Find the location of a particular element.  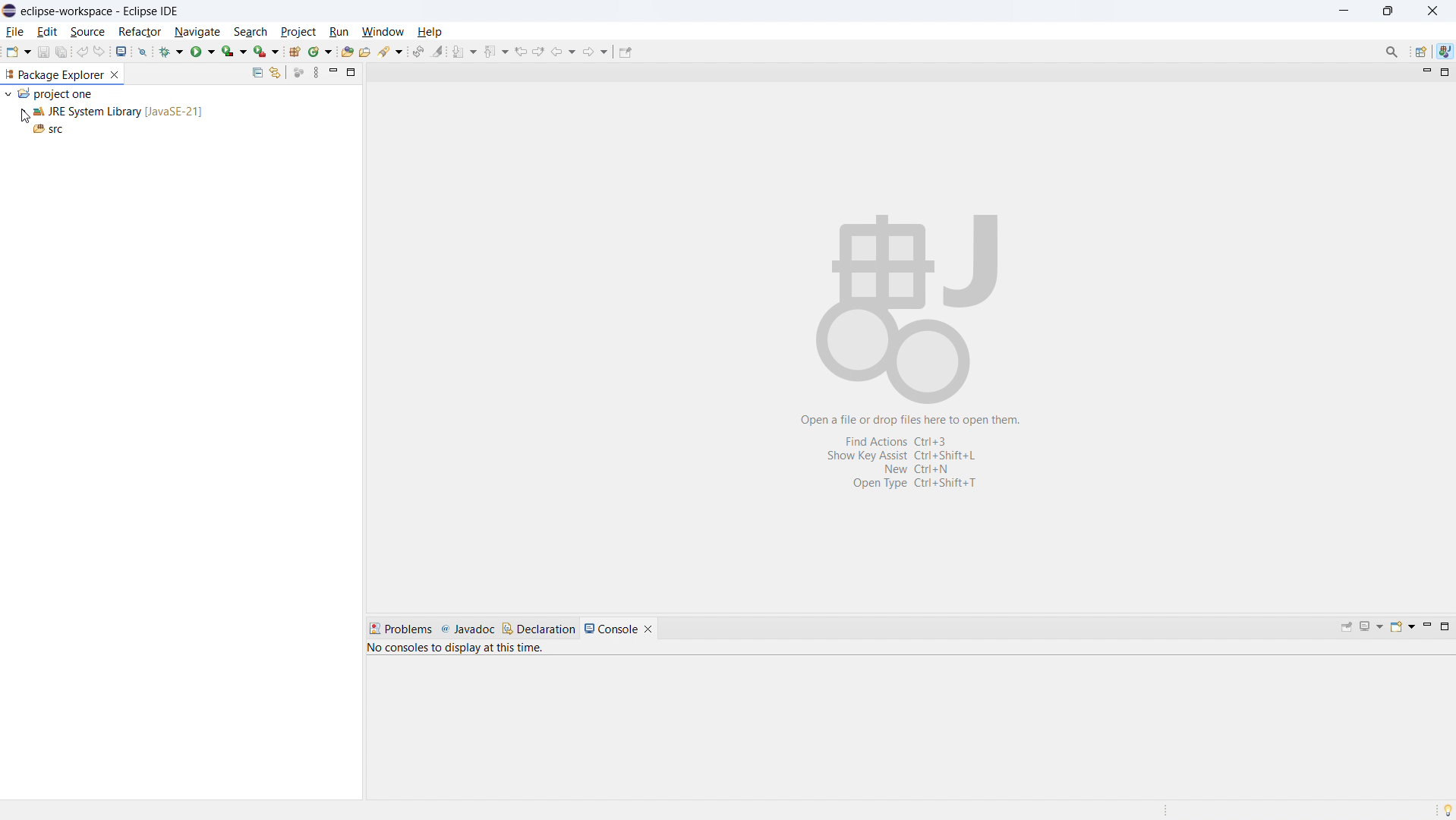

Cursor is located at coordinates (24, 115).